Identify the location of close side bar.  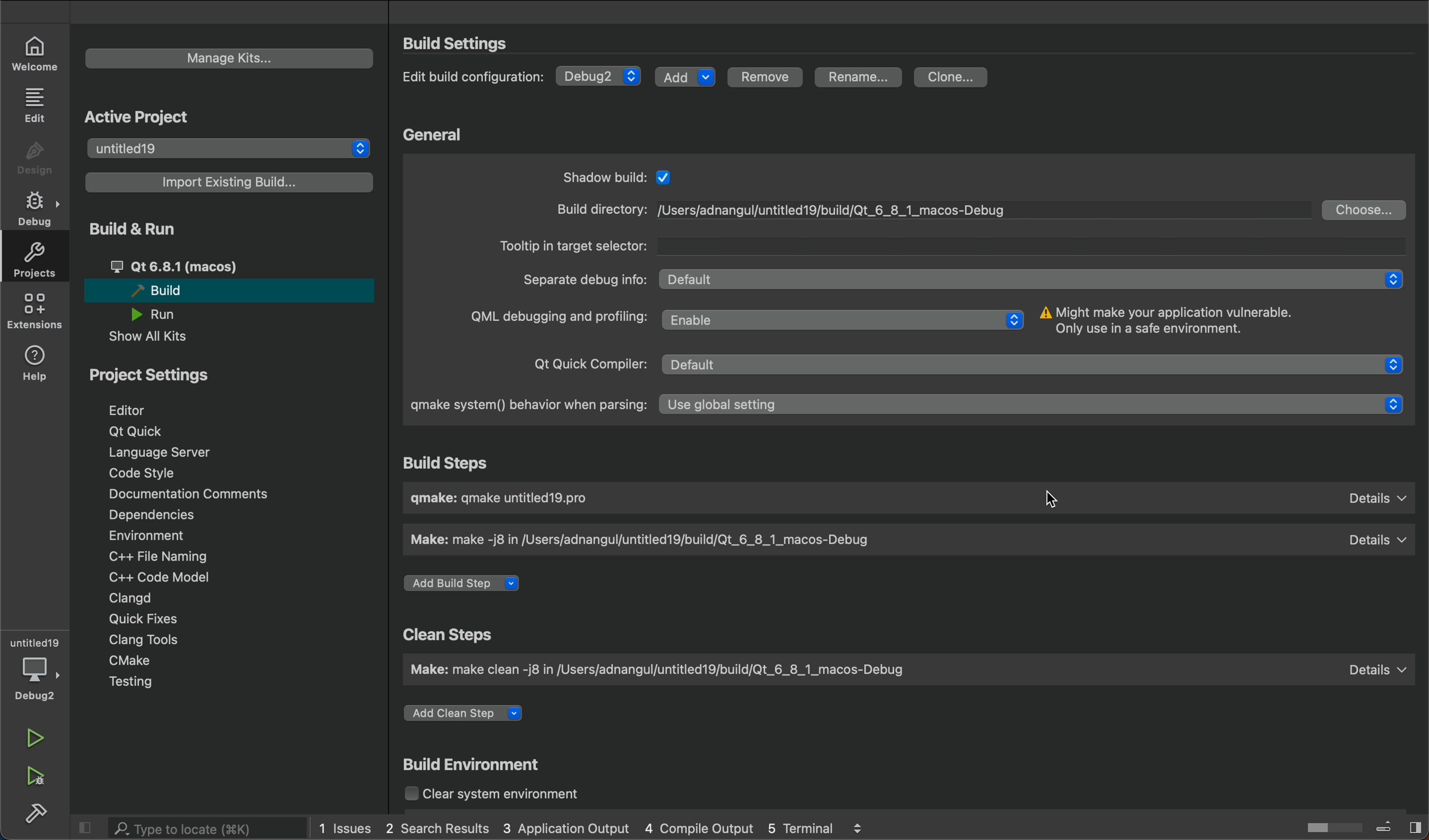
(1401, 825).